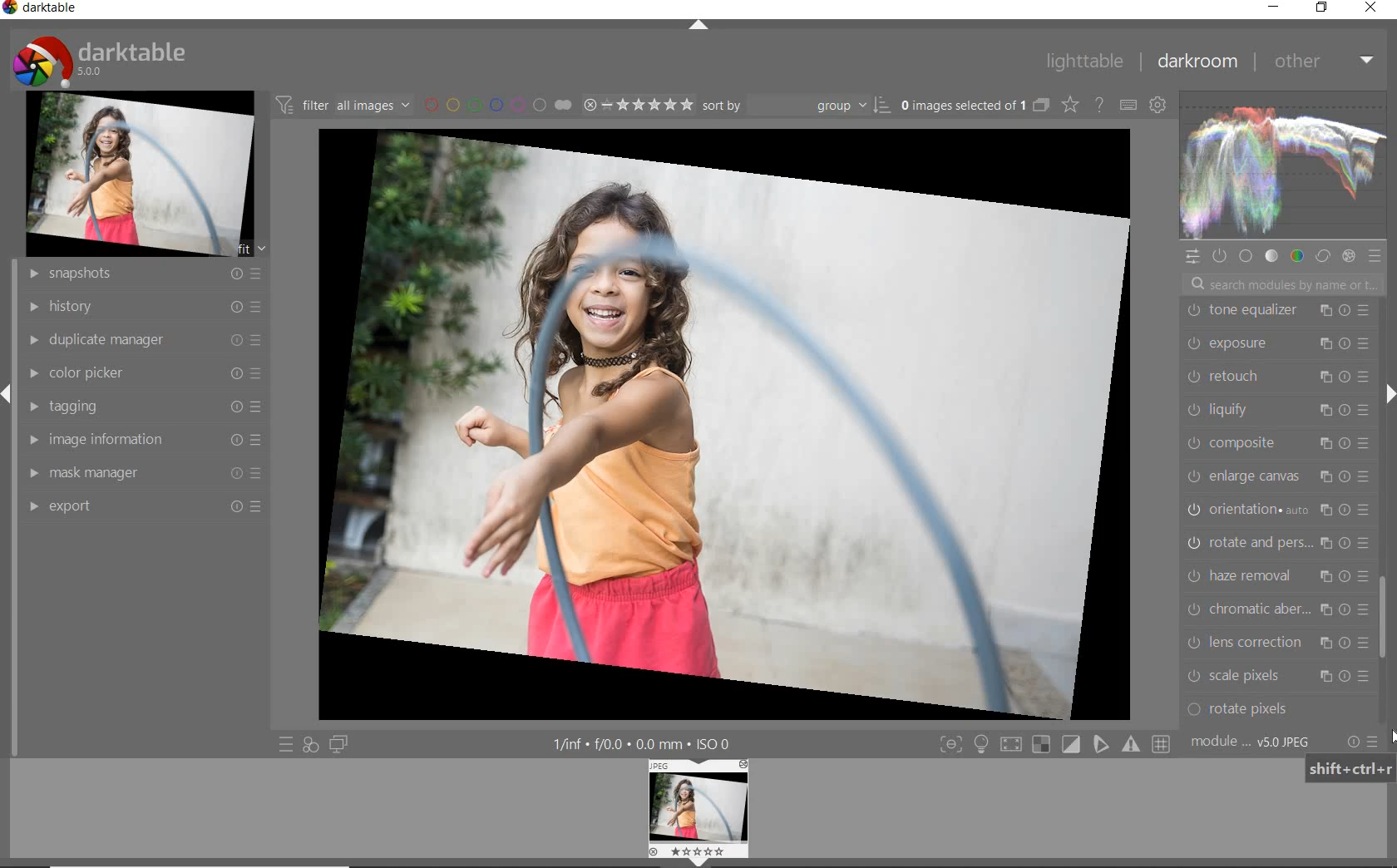 The width and height of the screenshot is (1397, 868). What do you see at coordinates (1156, 102) in the screenshot?
I see `show global preference` at bounding box center [1156, 102].